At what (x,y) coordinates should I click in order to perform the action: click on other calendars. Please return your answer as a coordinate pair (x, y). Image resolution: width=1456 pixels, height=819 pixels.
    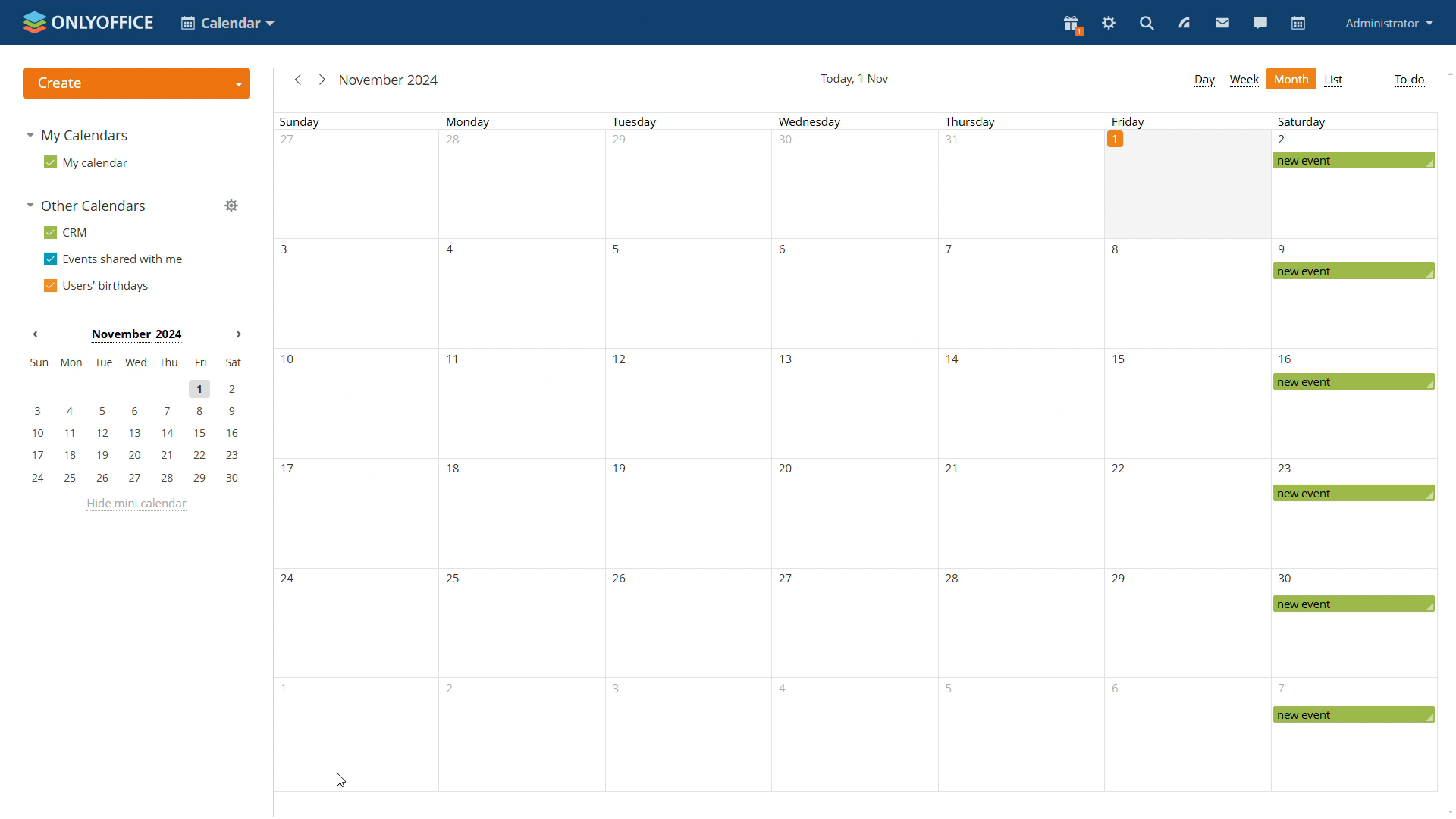
    Looking at the image, I should click on (90, 206).